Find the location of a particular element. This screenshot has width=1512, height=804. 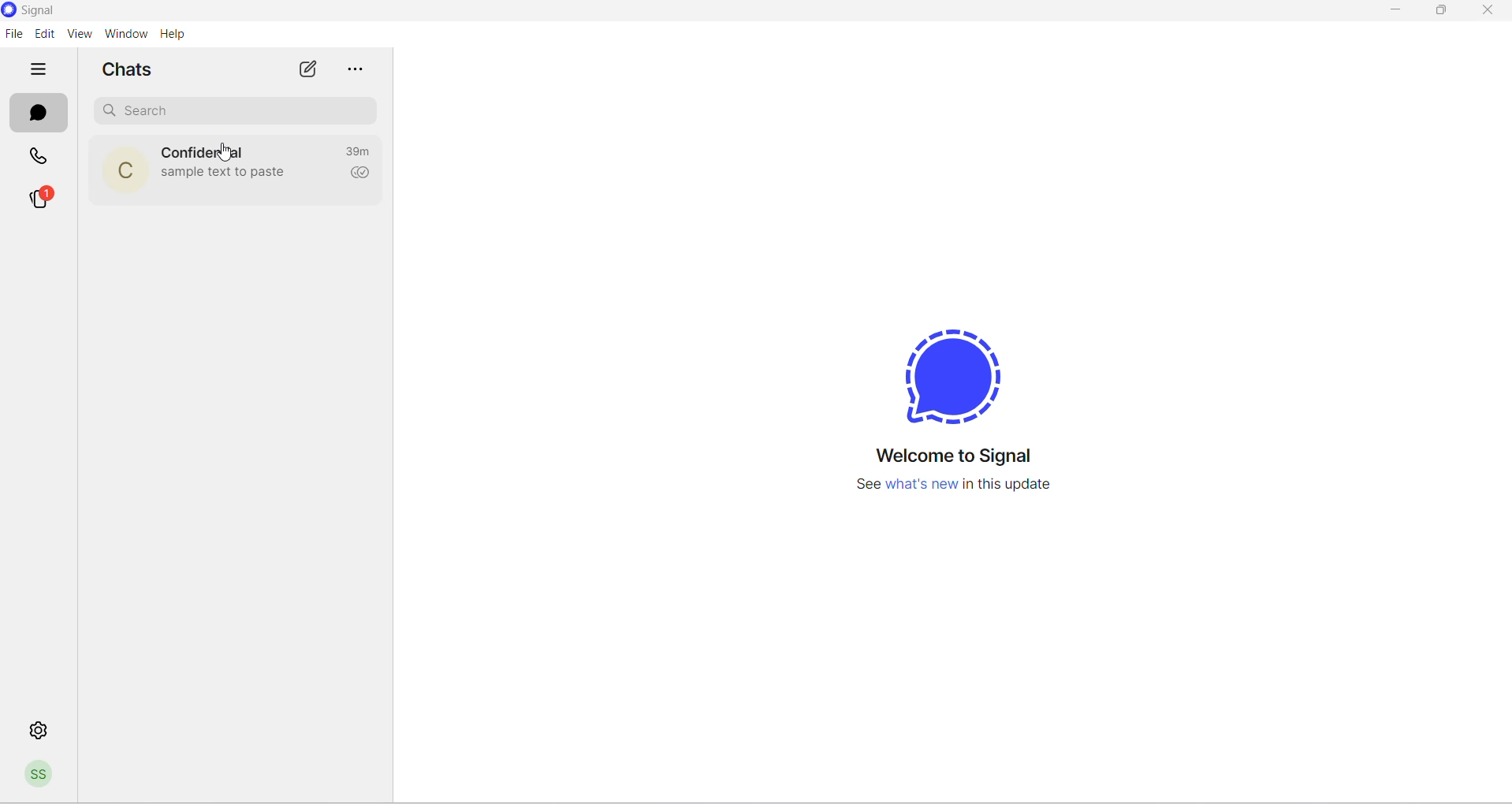

profile is located at coordinates (40, 777).